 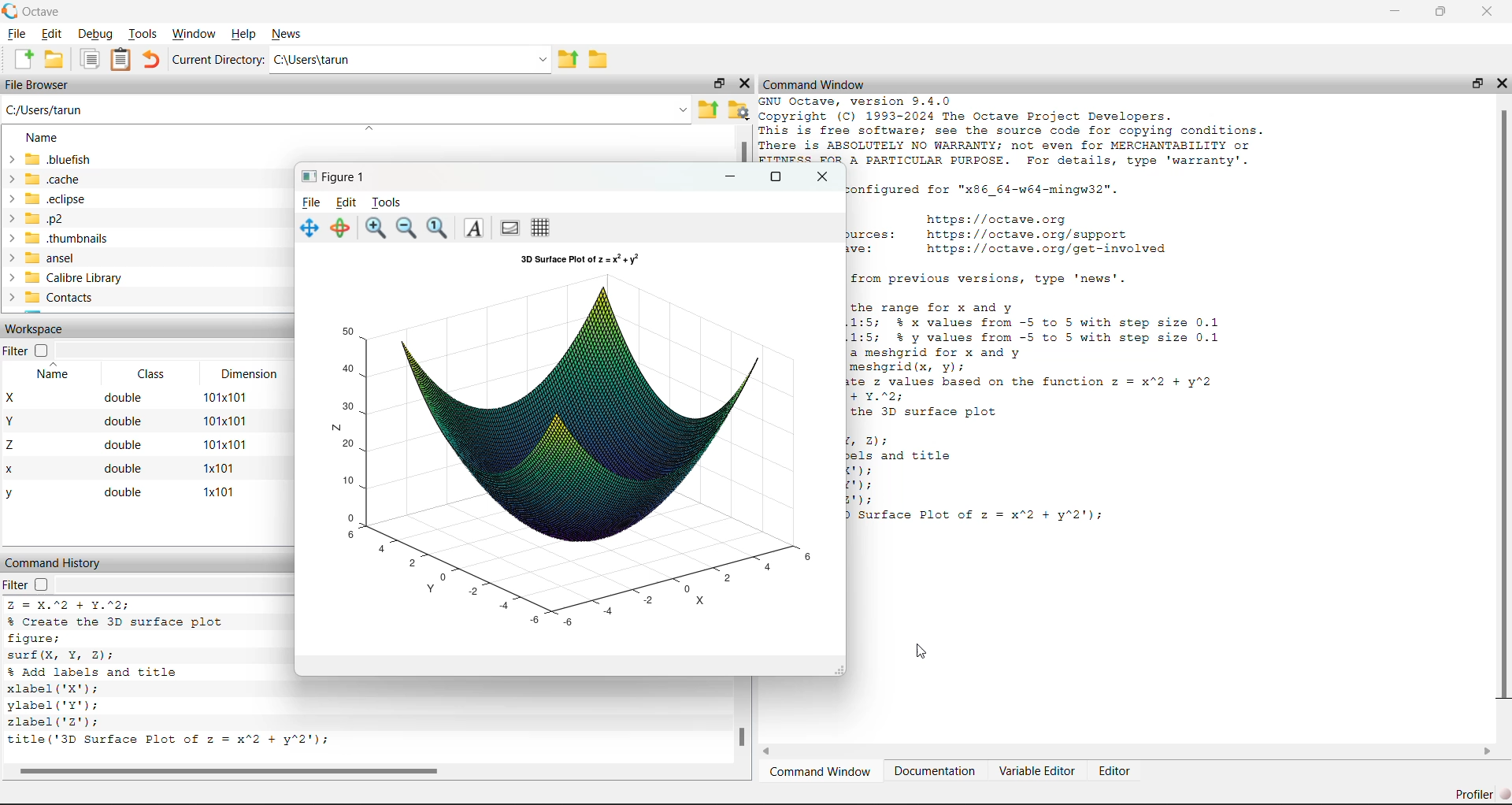 I want to click on Zoom in, so click(x=376, y=225).